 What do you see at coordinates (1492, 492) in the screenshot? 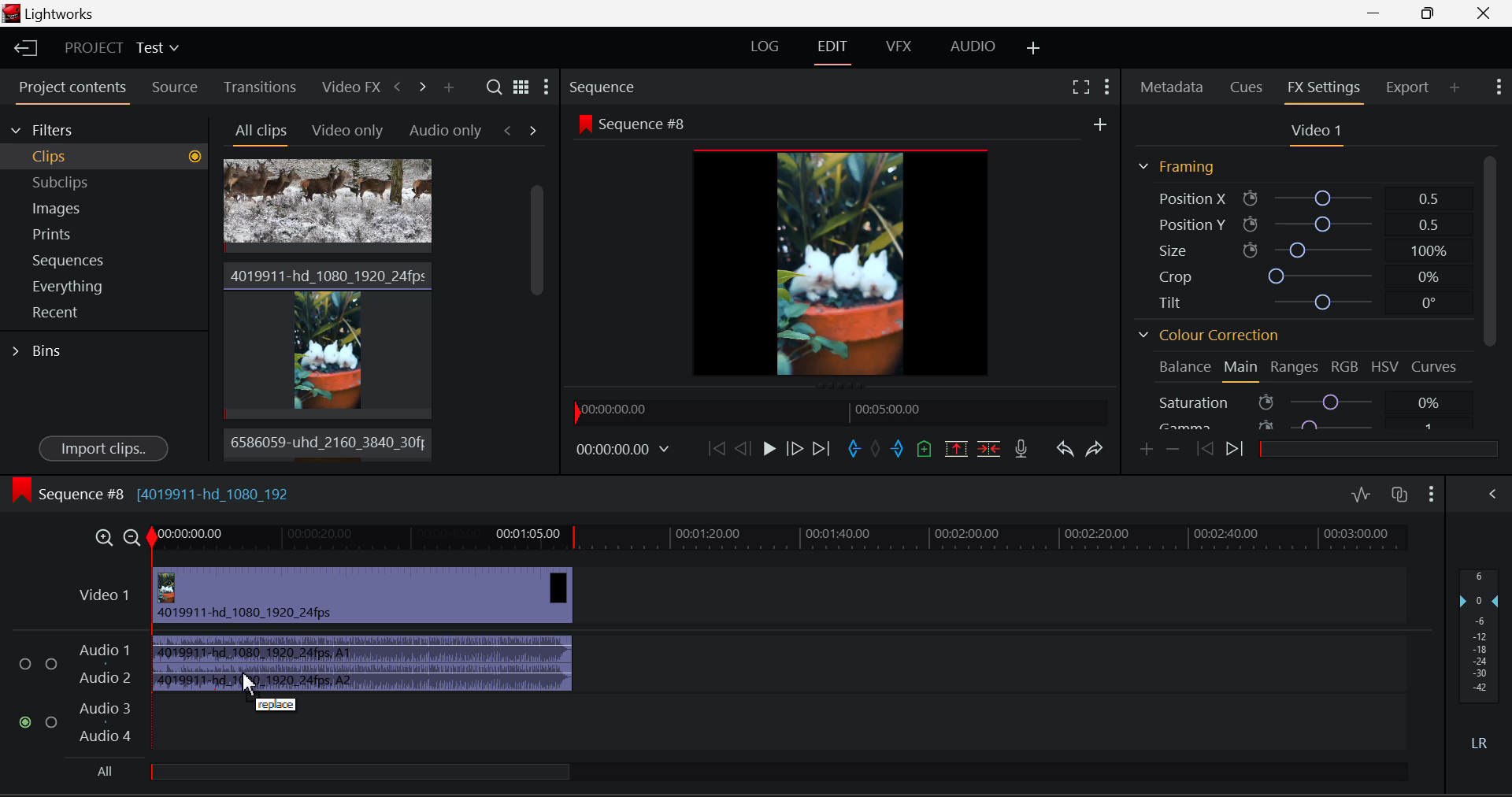
I see `Show Audio Mix` at bounding box center [1492, 492].